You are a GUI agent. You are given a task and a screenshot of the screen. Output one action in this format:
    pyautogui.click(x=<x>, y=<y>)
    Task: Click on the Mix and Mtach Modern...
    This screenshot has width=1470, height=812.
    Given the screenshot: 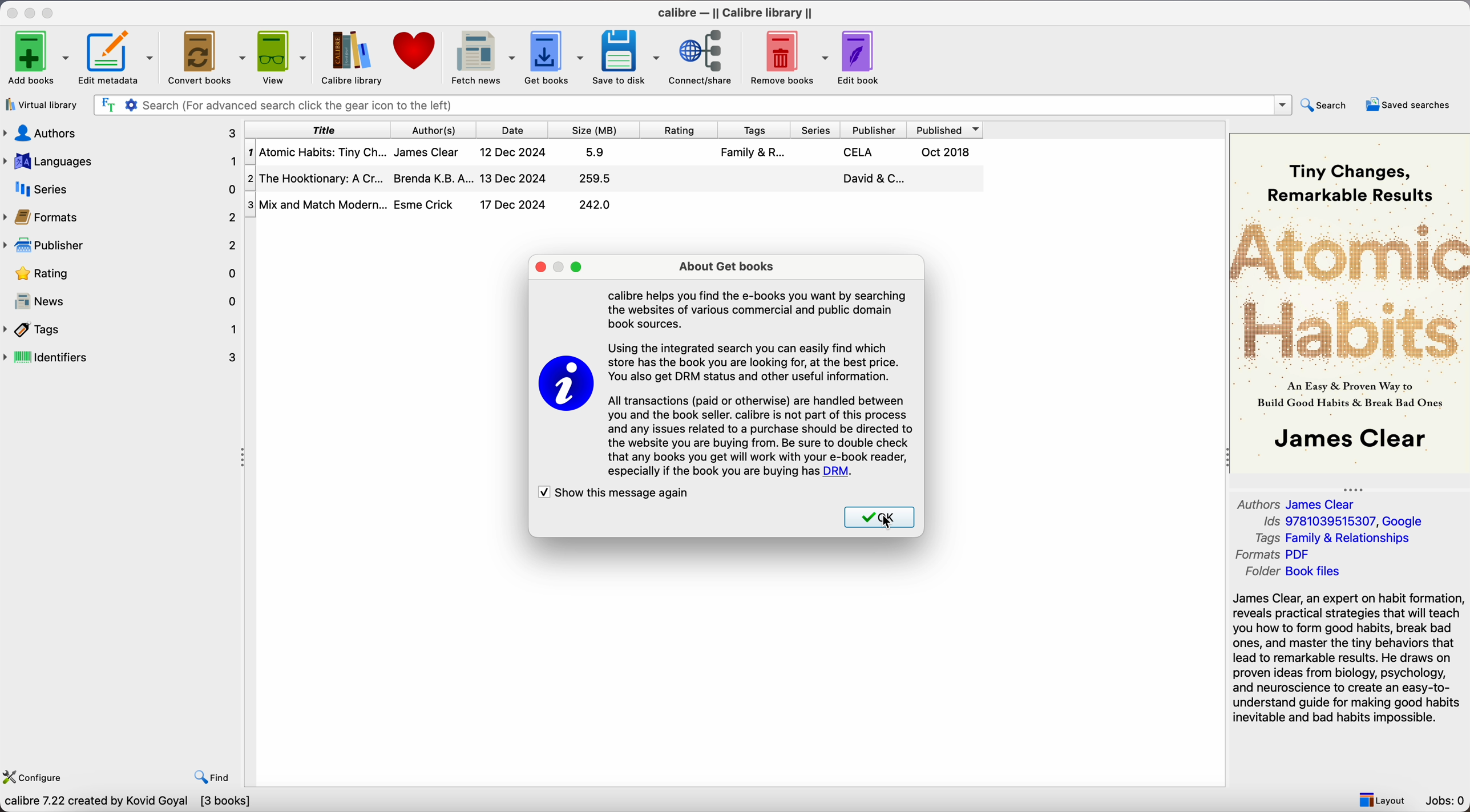 What is the action you would take?
    pyautogui.click(x=315, y=204)
    